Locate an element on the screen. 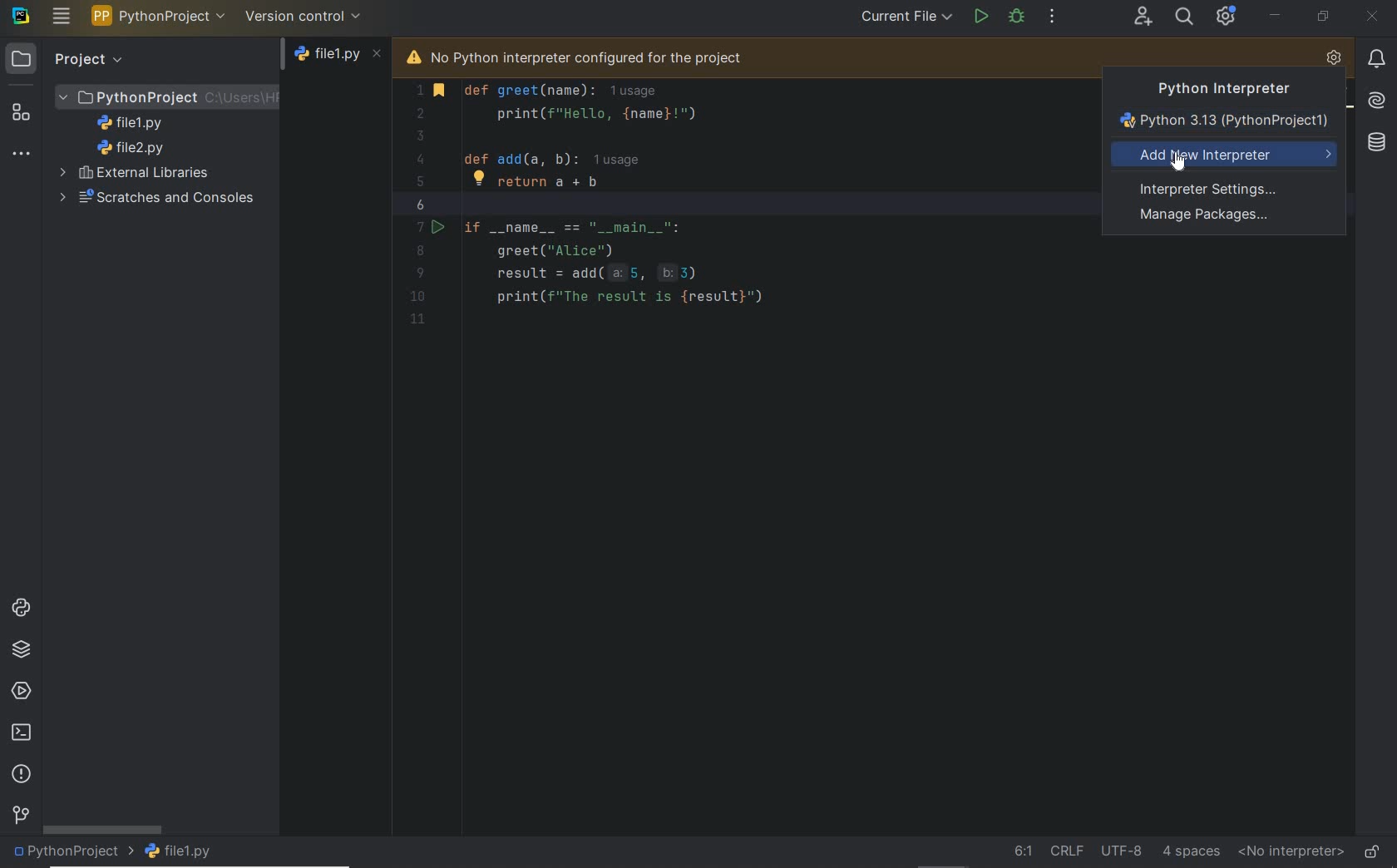 The height and width of the screenshot is (868, 1397). python packages is located at coordinates (22, 649).